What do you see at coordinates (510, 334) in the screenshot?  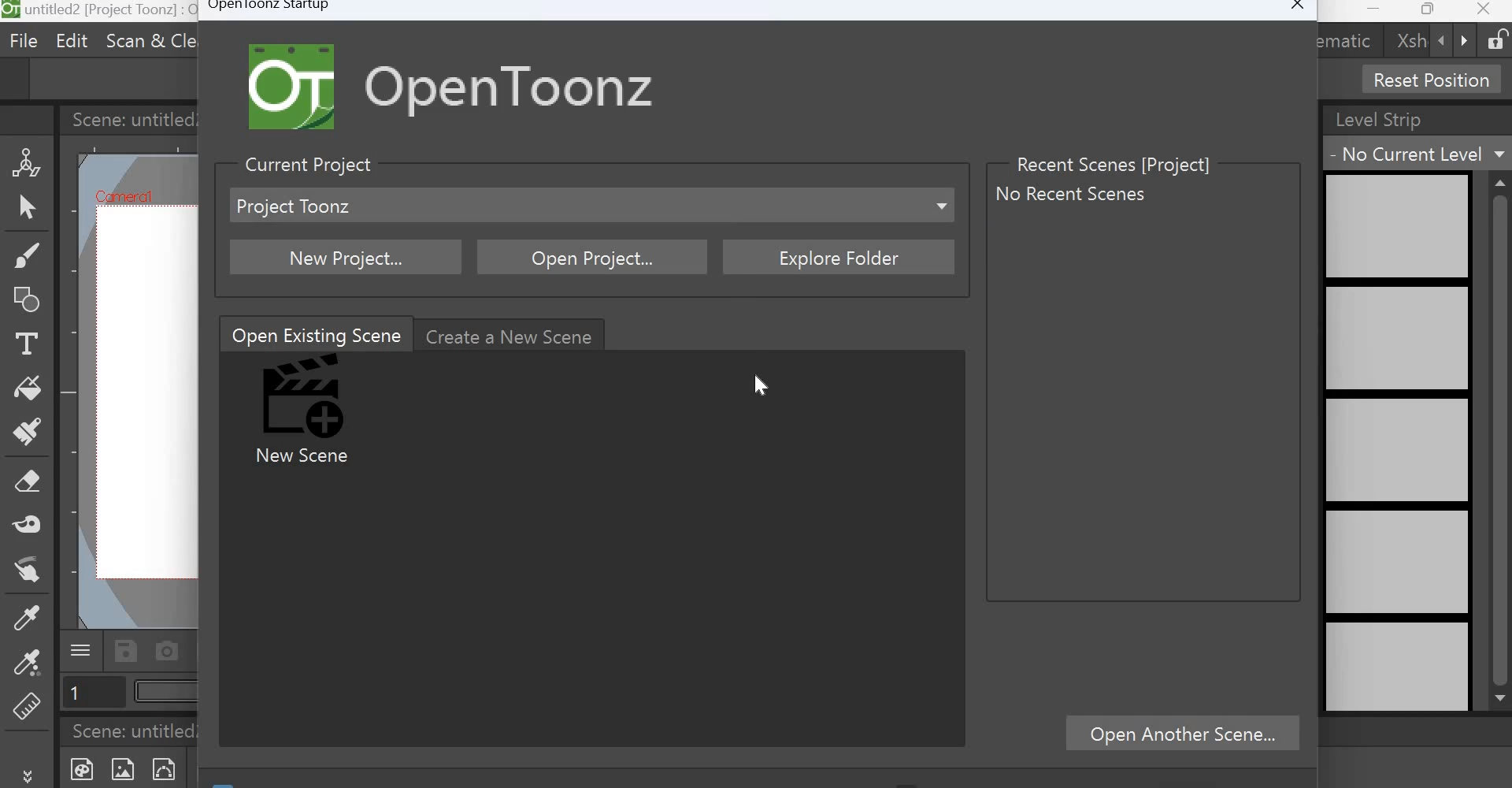 I see `Create a new scene` at bounding box center [510, 334].